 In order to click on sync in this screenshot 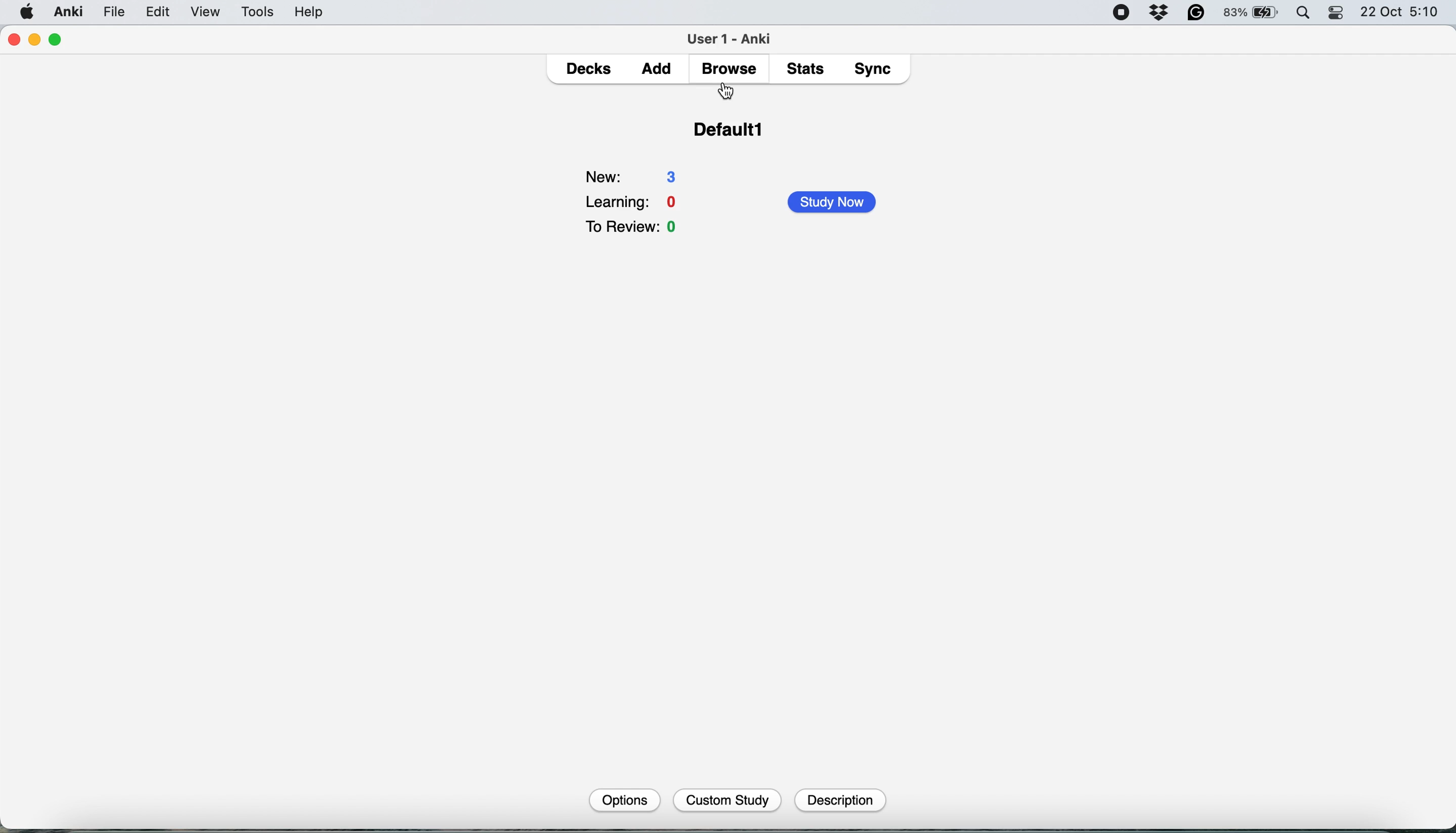, I will do `click(876, 71)`.